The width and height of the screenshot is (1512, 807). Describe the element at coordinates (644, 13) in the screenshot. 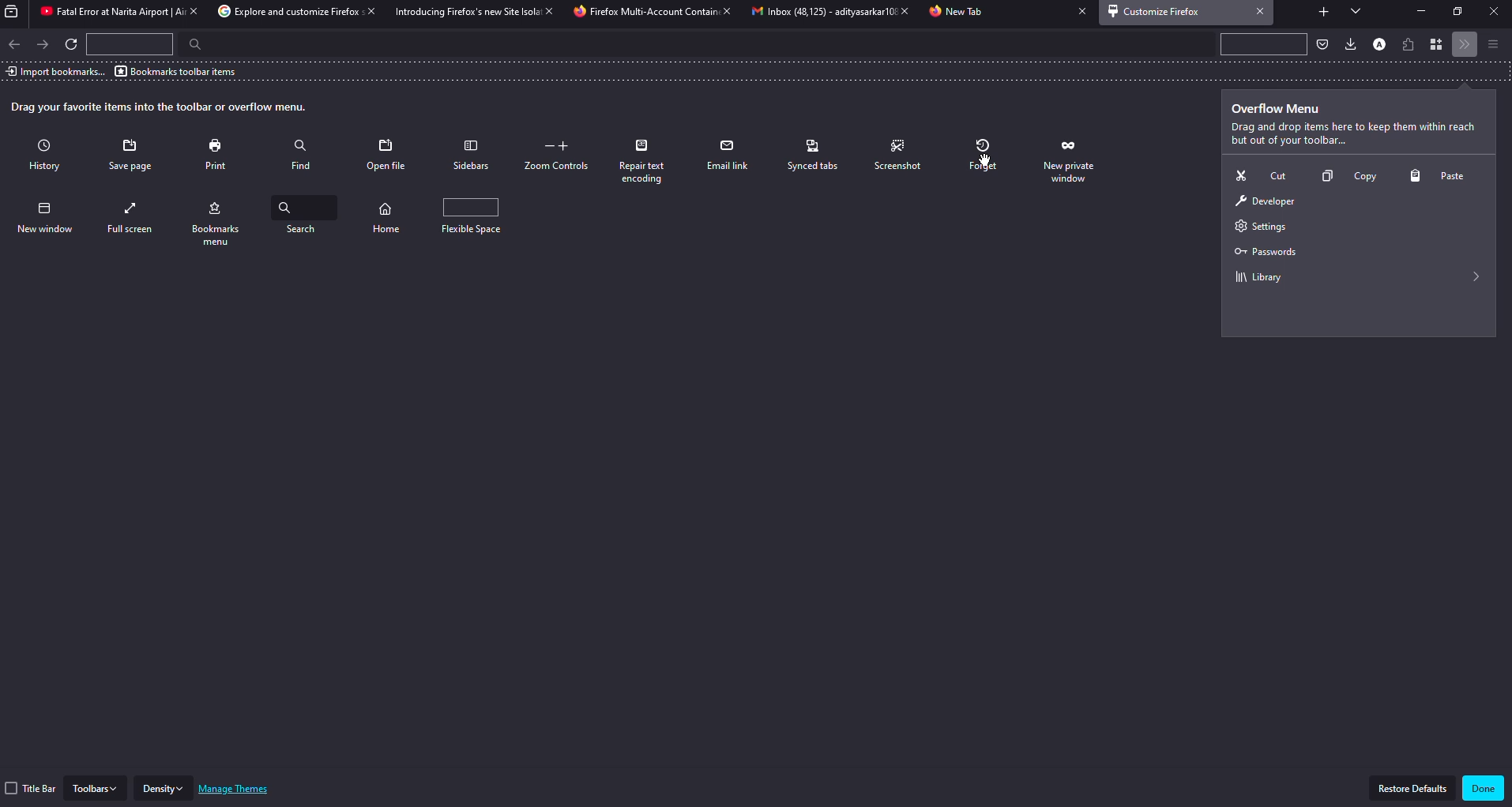

I see `tab` at that location.